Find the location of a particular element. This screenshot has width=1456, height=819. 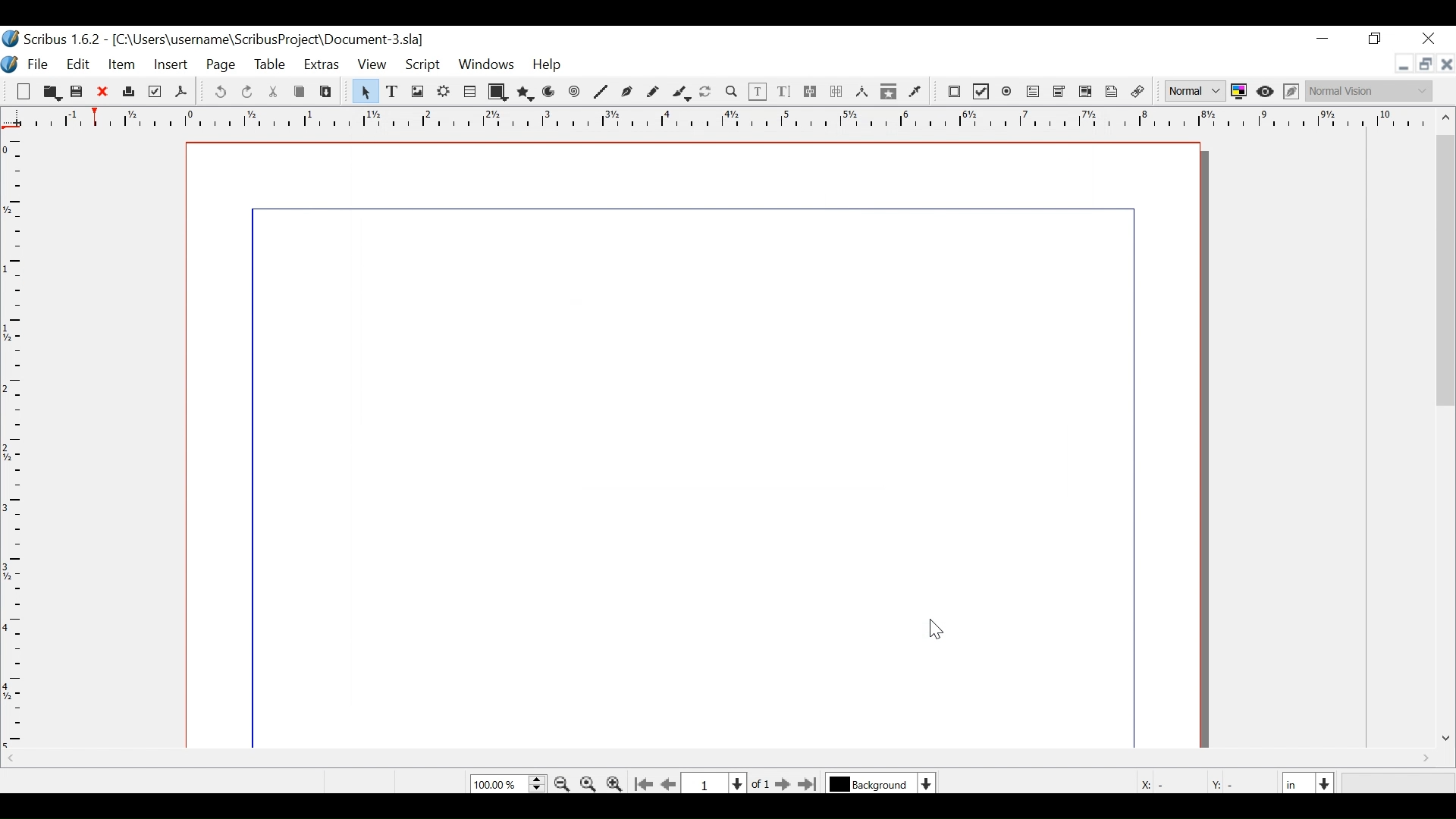

PDF Radio Button is located at coordinates (1007, 92).